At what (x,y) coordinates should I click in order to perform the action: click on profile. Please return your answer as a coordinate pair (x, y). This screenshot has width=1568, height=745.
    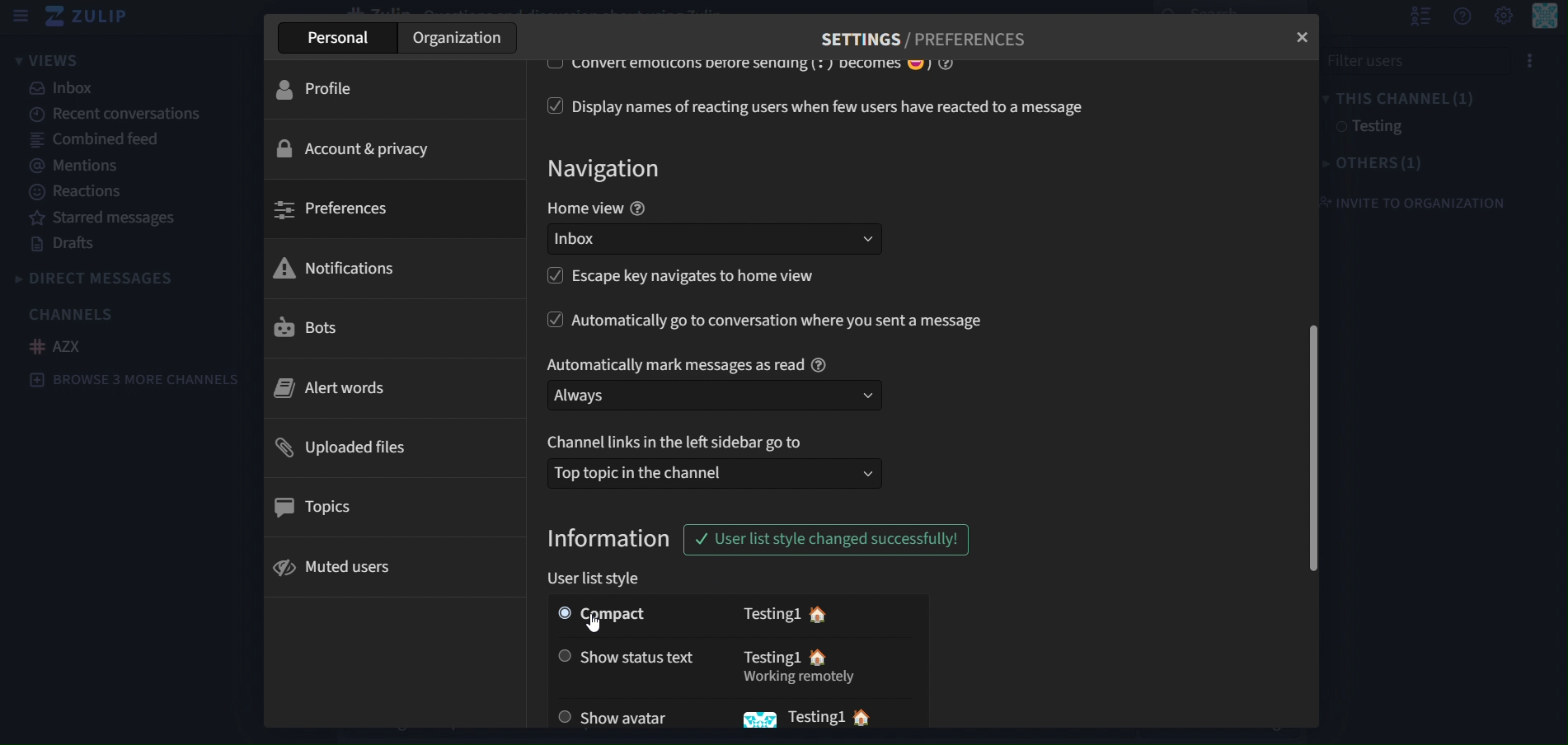
    Looking at the image, I should click on (327, 87).